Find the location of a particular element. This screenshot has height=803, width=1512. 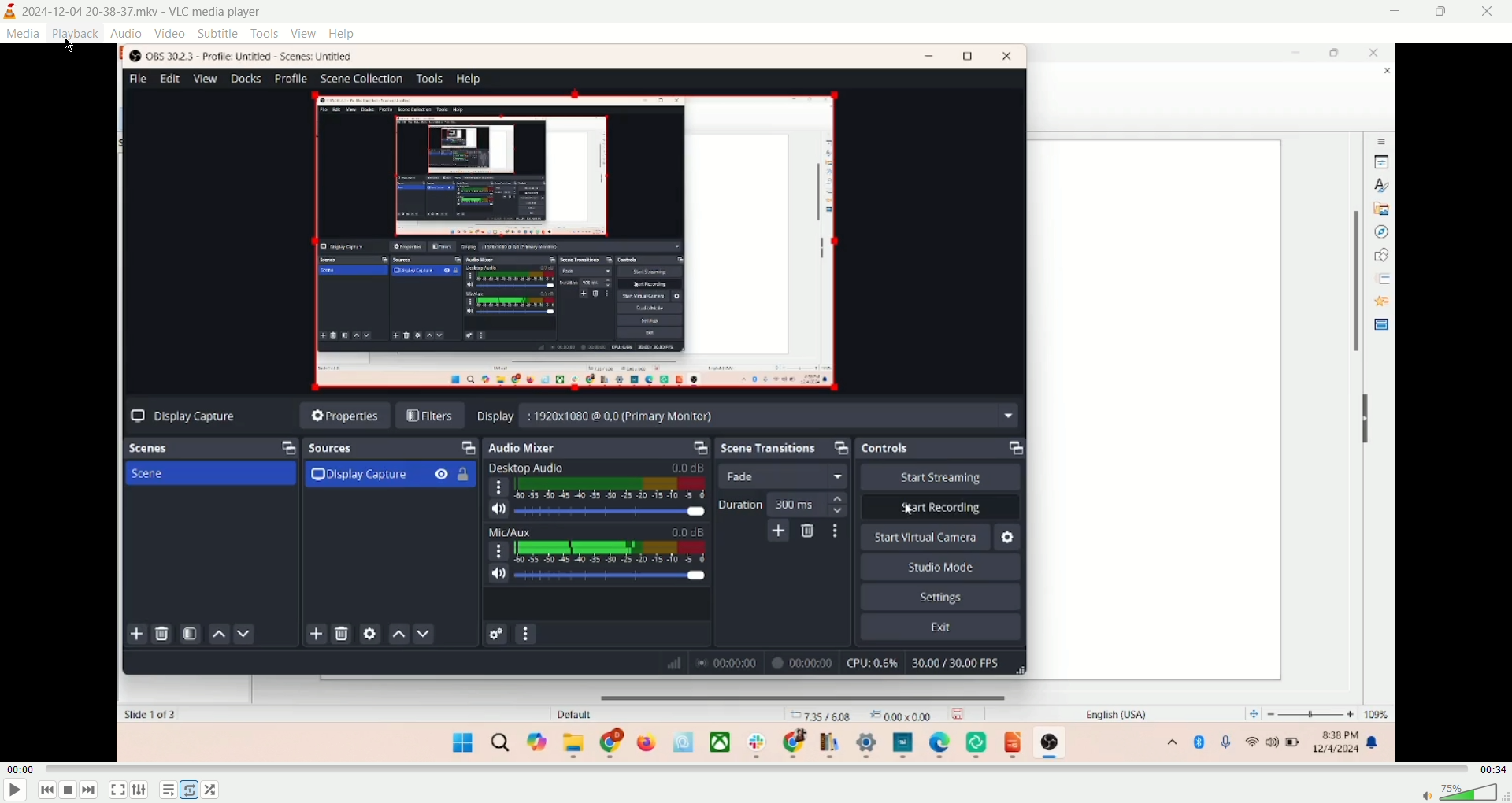

video is located at coordinates (171, 33).